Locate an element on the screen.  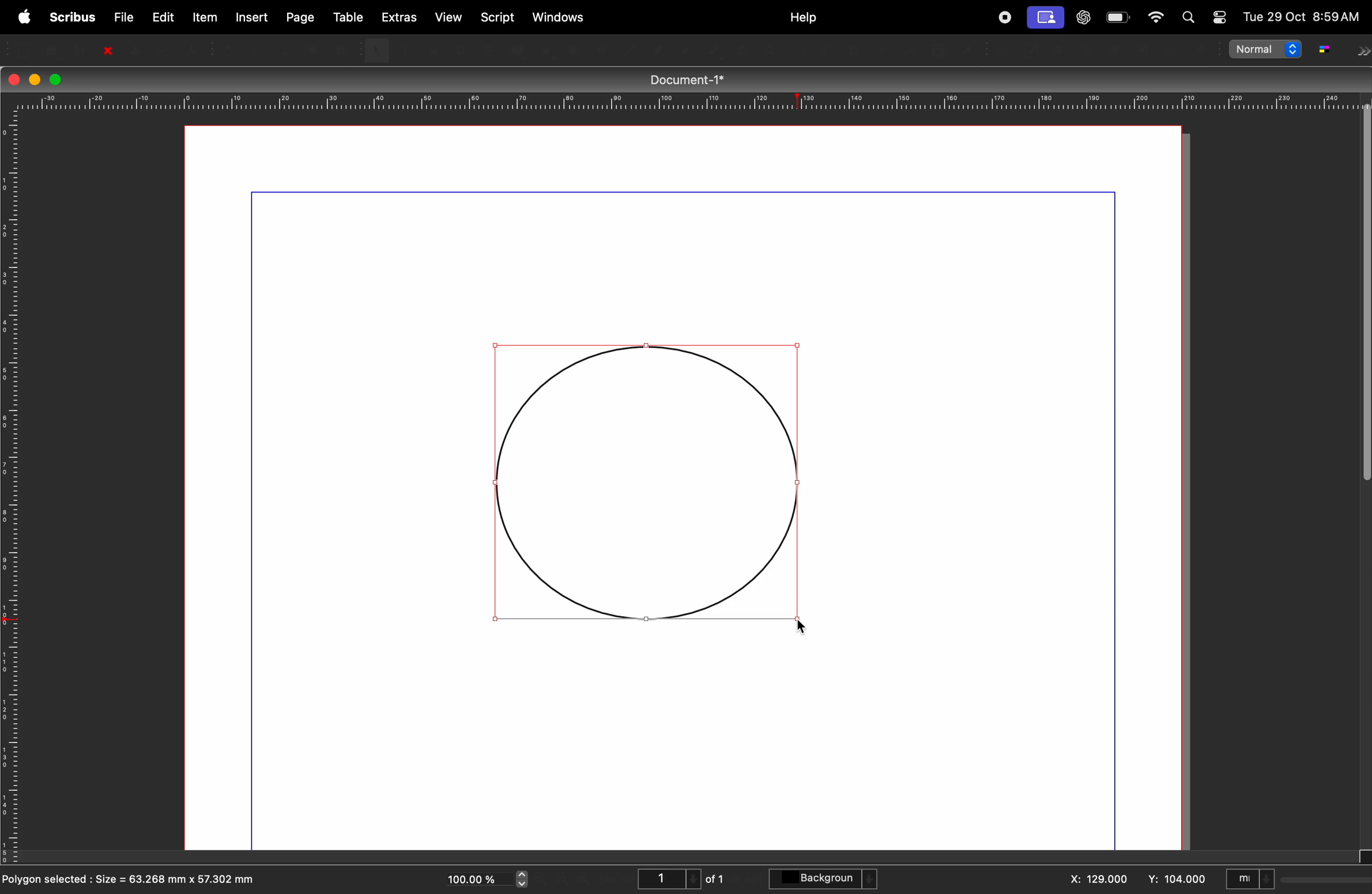
circle is located at coordinates (645, 484).